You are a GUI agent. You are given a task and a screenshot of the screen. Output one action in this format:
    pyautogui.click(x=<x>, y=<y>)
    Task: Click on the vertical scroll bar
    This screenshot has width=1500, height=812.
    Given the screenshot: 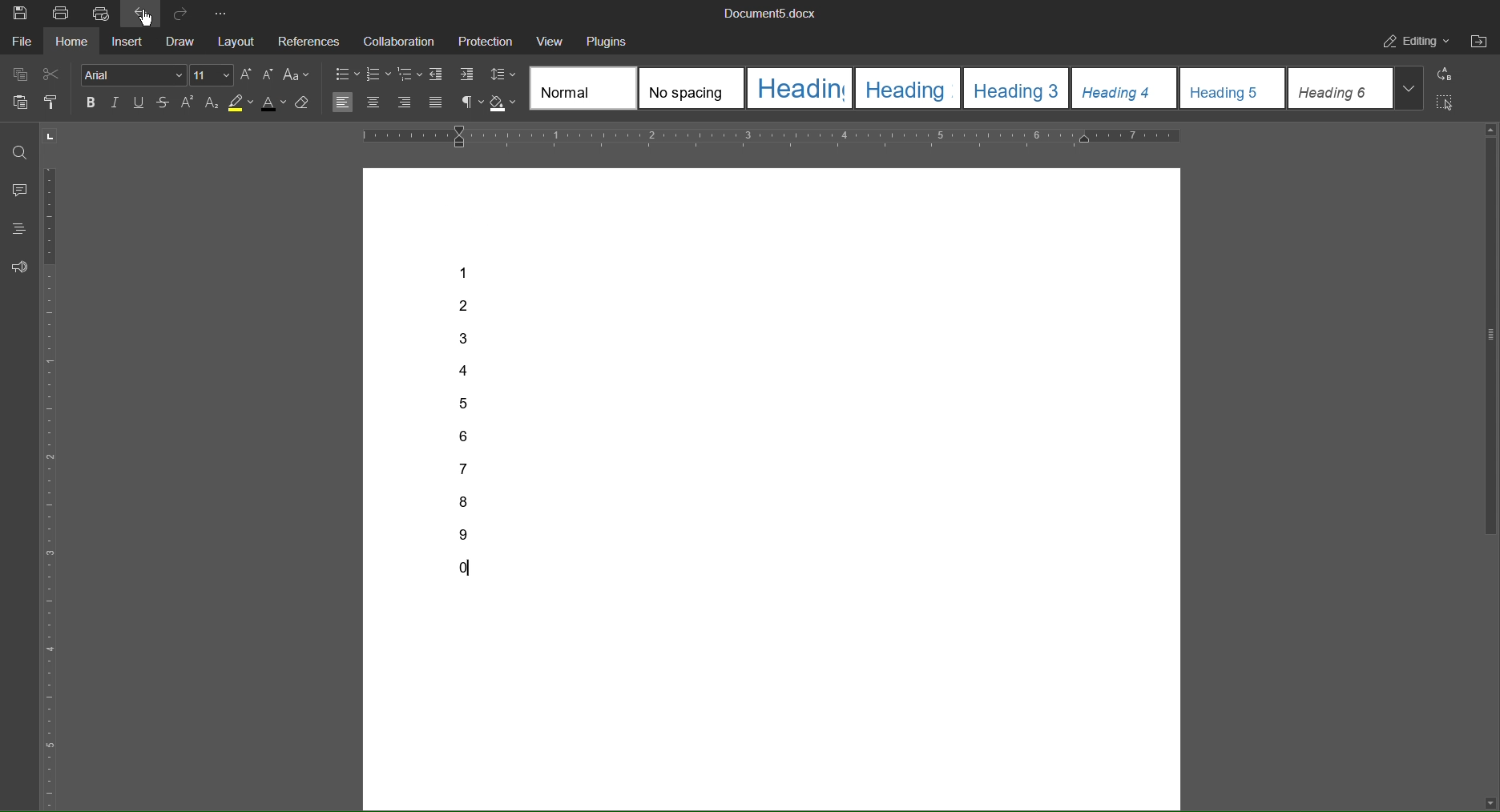 What is the action you would take?
    pyautogui.click(x=1490, y=338)
    